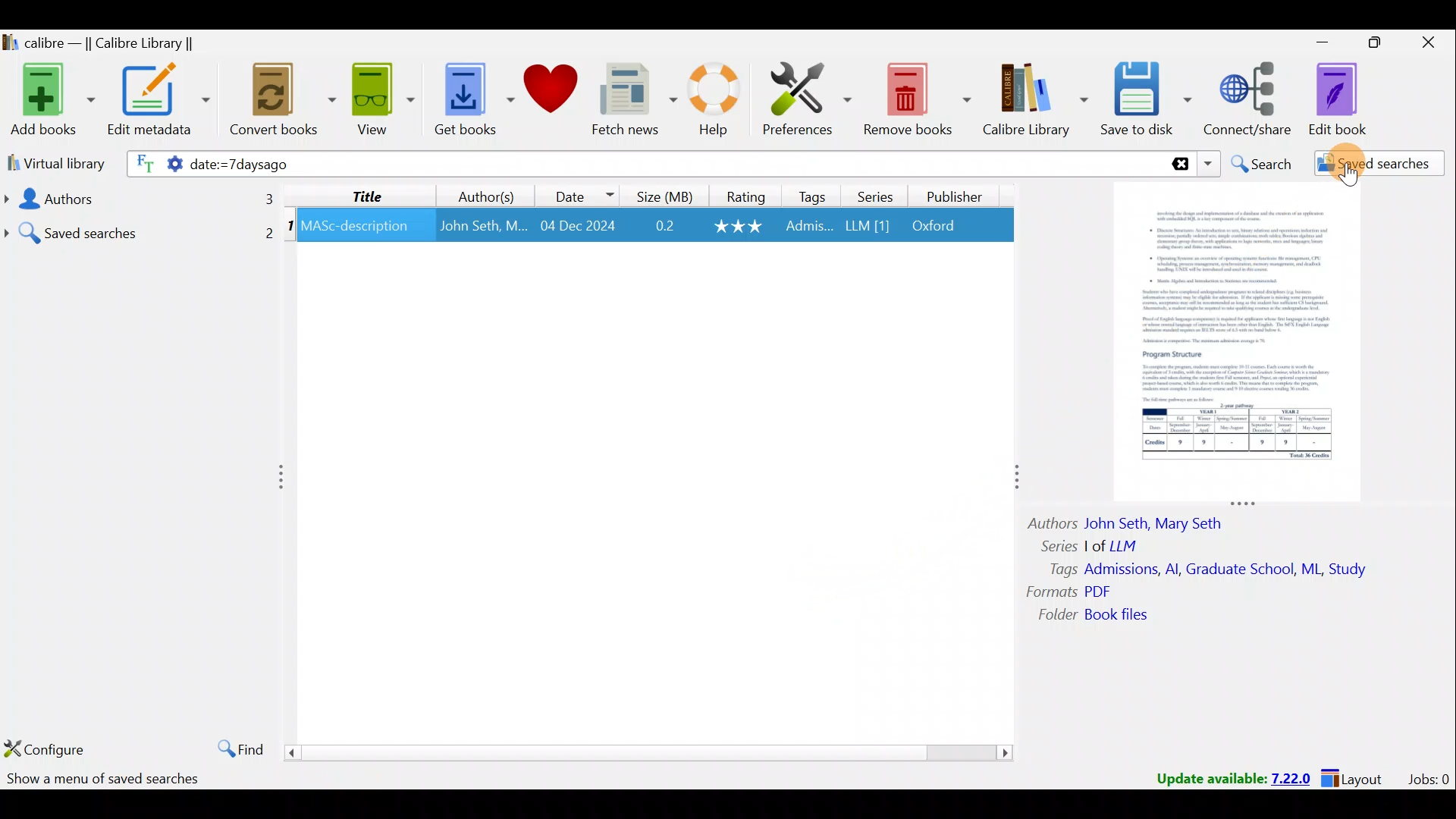  I want to click on Cursor, so click(1346, 159).